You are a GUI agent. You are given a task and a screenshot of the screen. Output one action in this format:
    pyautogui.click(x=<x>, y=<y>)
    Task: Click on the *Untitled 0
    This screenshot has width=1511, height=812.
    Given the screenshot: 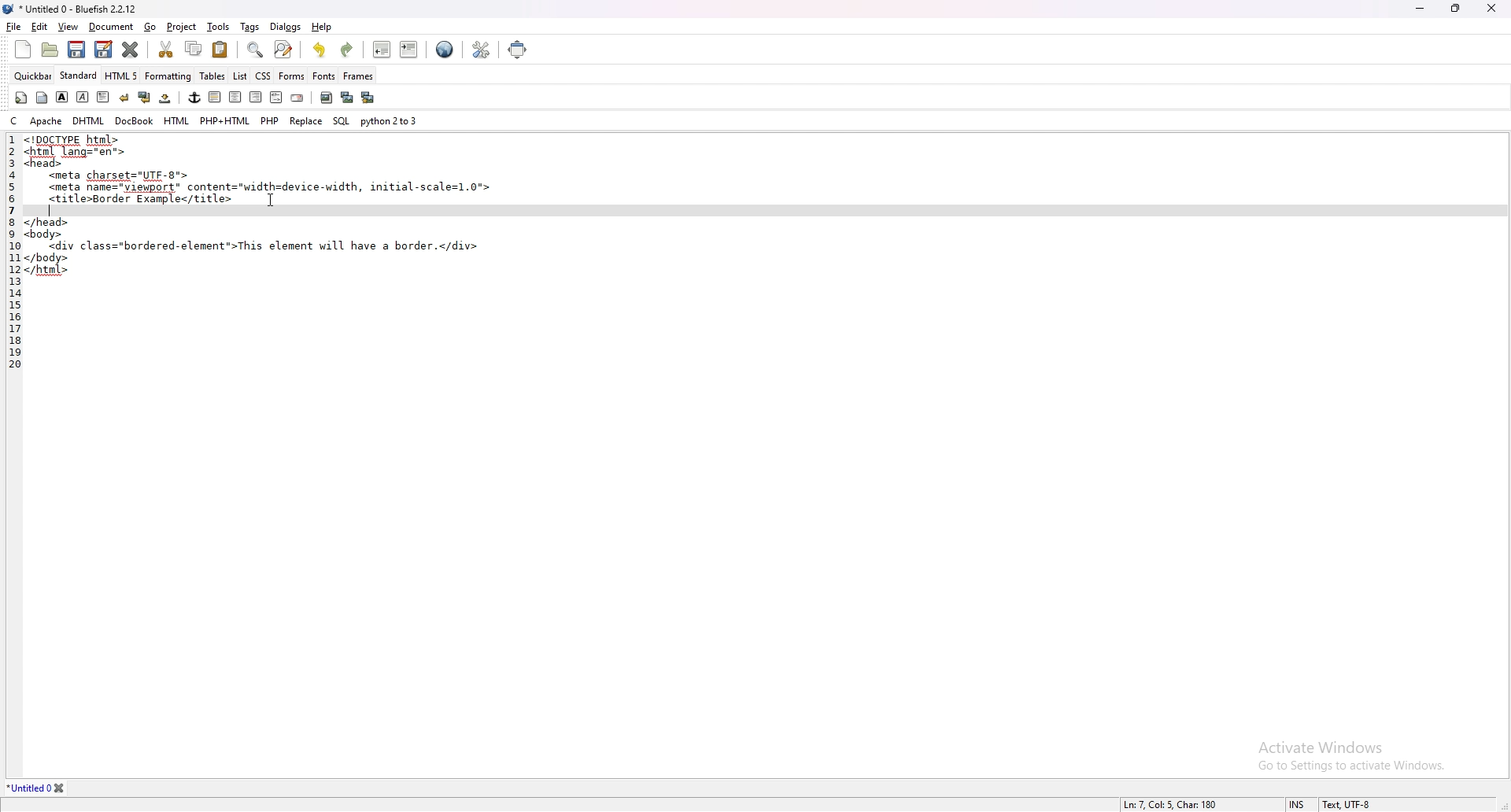 What is the action you would take?
    pyautogui.click(x=38, y=788)
    